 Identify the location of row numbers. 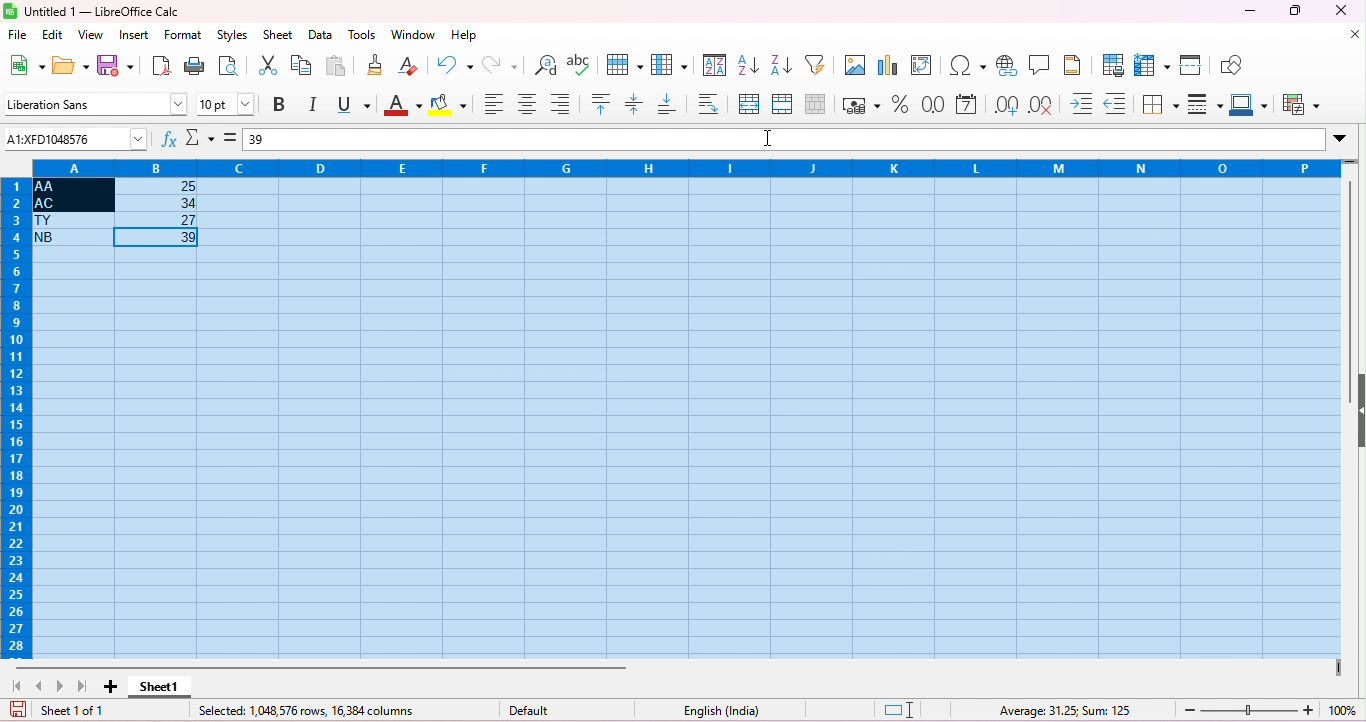
(14, 419).